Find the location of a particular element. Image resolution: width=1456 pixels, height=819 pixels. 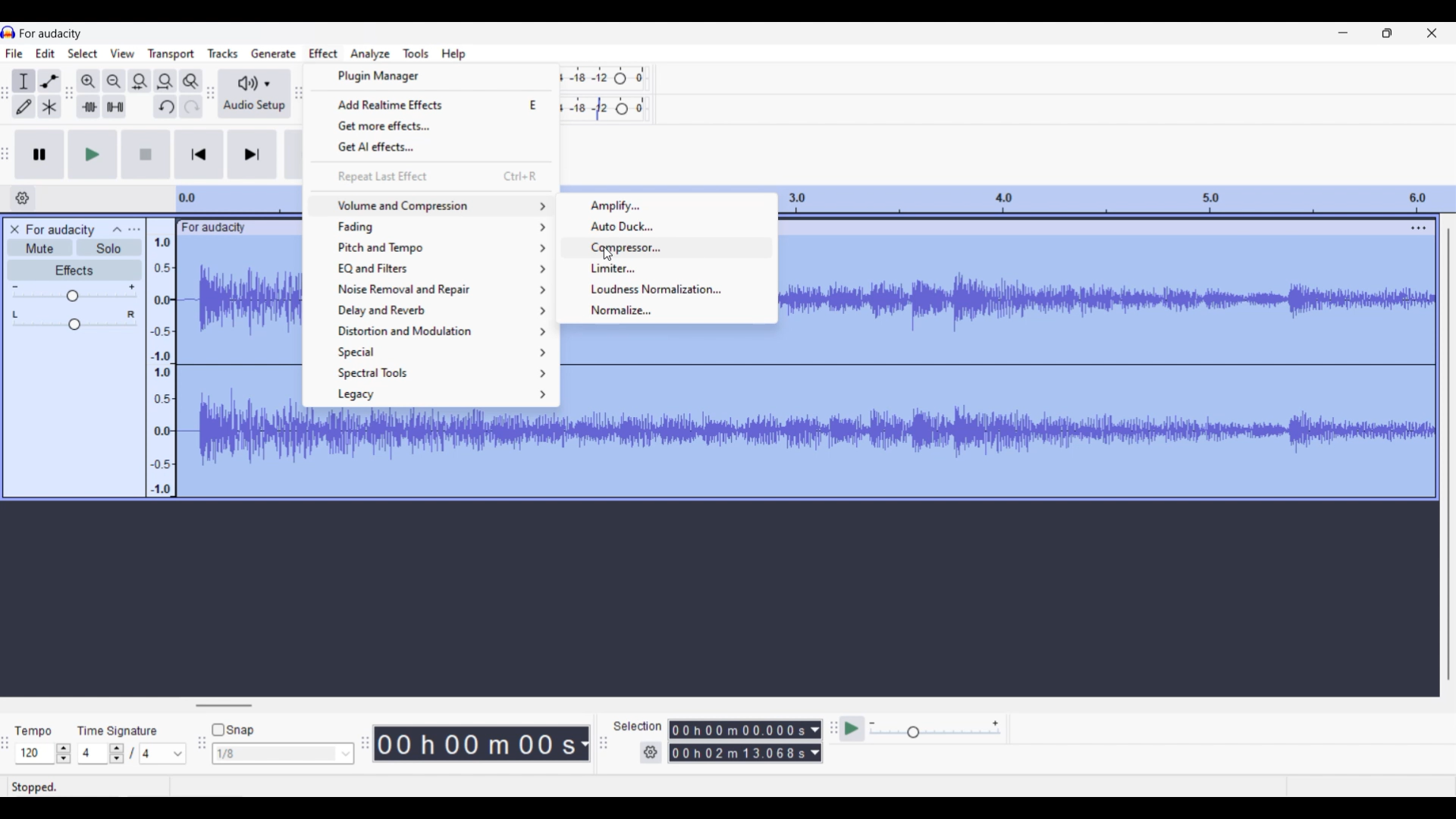

Analyze menu is located at coordinates (369, 54).